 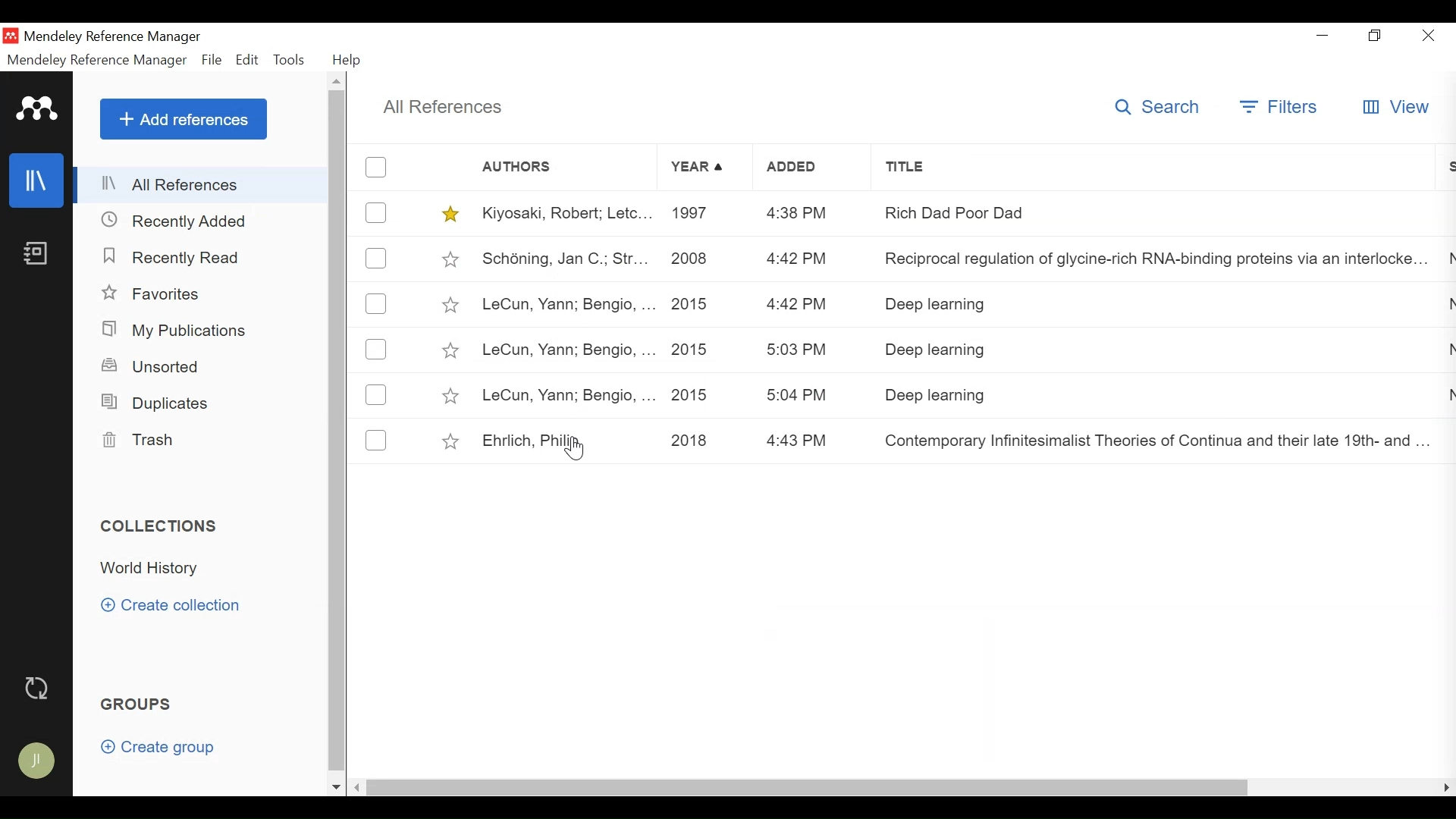 What do you see at coordinates (448, 351) in the screenshot?
I see `(un)select favorite` at bounding box center [448, 351].